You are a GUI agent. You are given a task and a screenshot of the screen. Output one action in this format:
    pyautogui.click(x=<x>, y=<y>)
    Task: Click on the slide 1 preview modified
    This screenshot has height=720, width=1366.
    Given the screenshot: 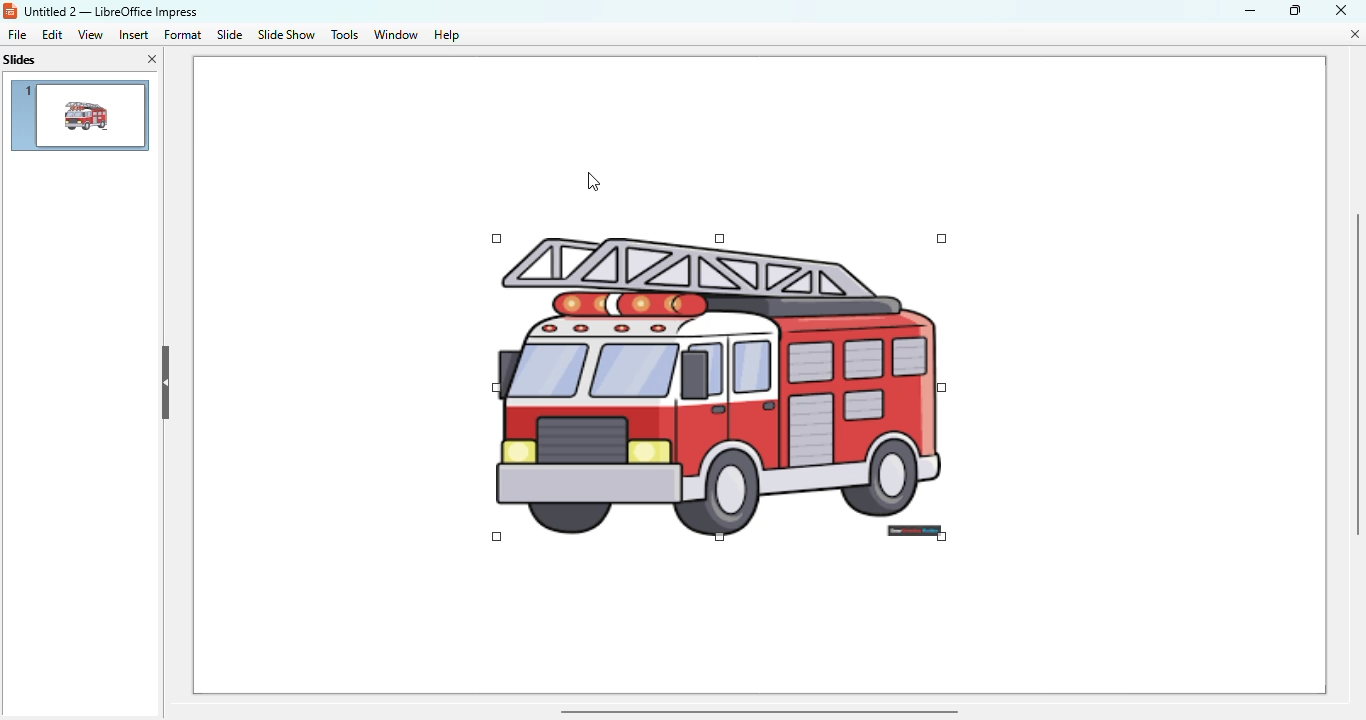 What is the action you would take?
    pyautogui.click(x=79, y=116)
    